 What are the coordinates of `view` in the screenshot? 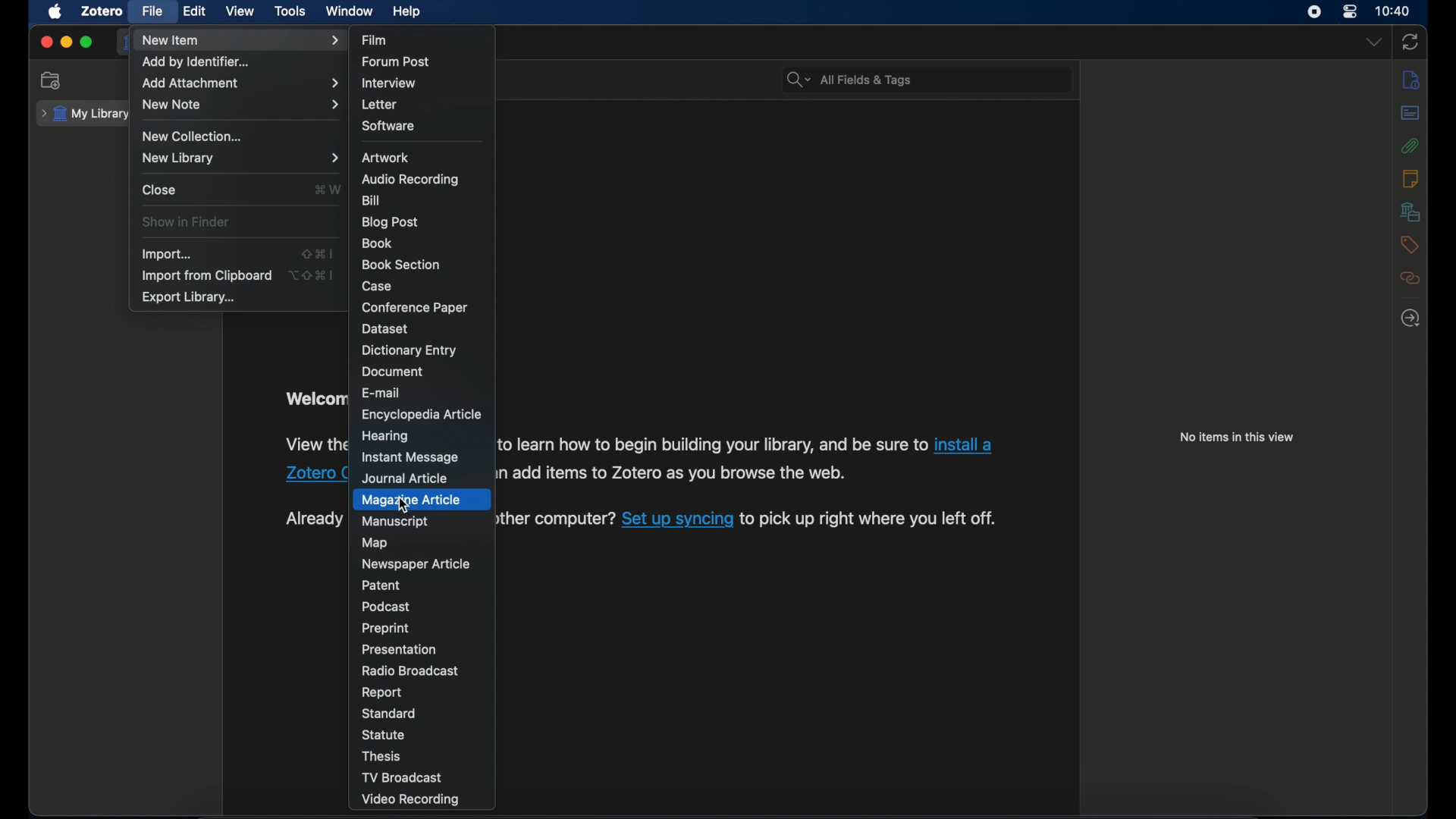 It's located at (240, 11).